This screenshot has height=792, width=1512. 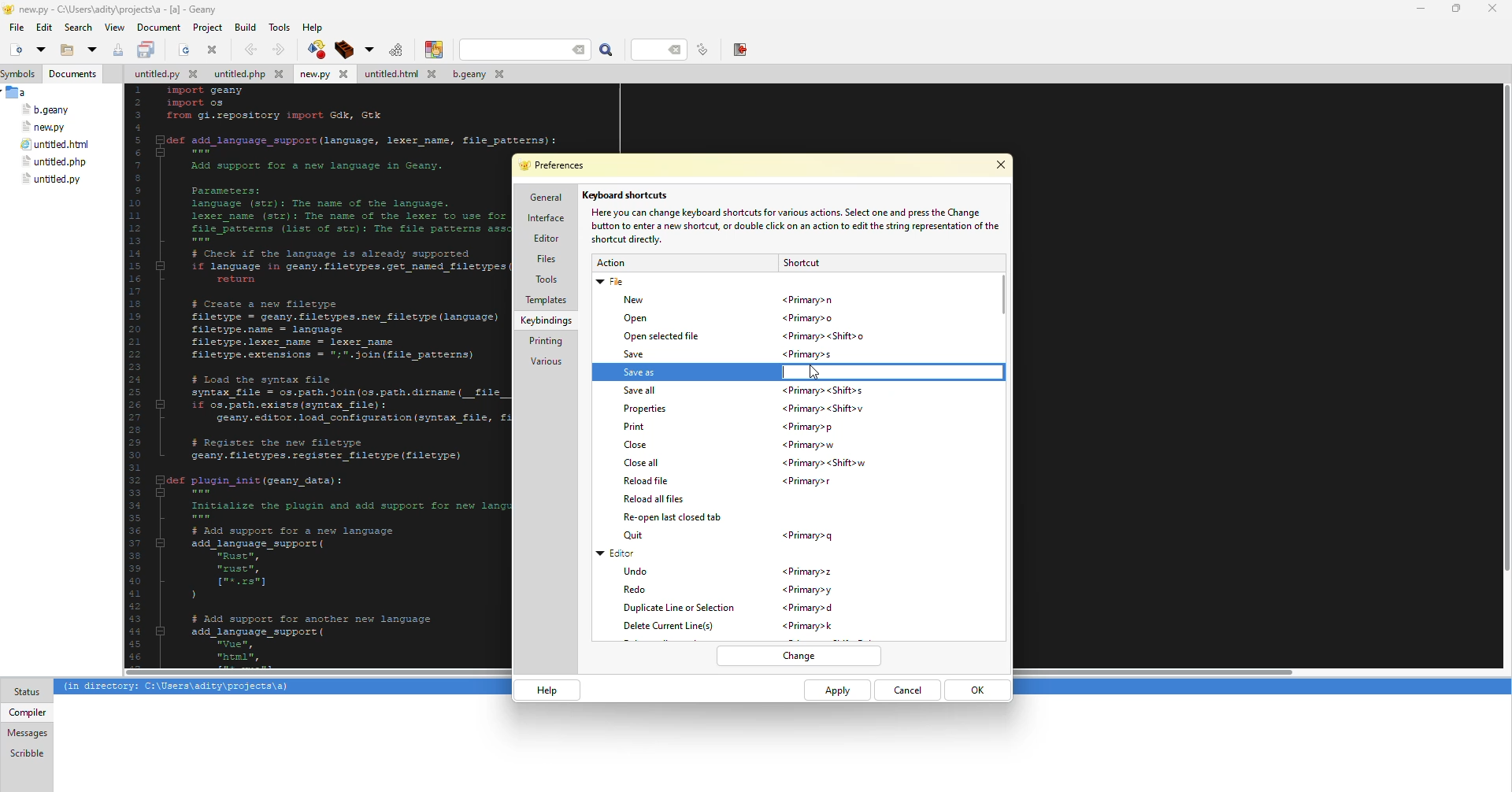 What do you see at coordinates (544, 198) in the screenshot?
I see `general` at bounding box center [544, 198].